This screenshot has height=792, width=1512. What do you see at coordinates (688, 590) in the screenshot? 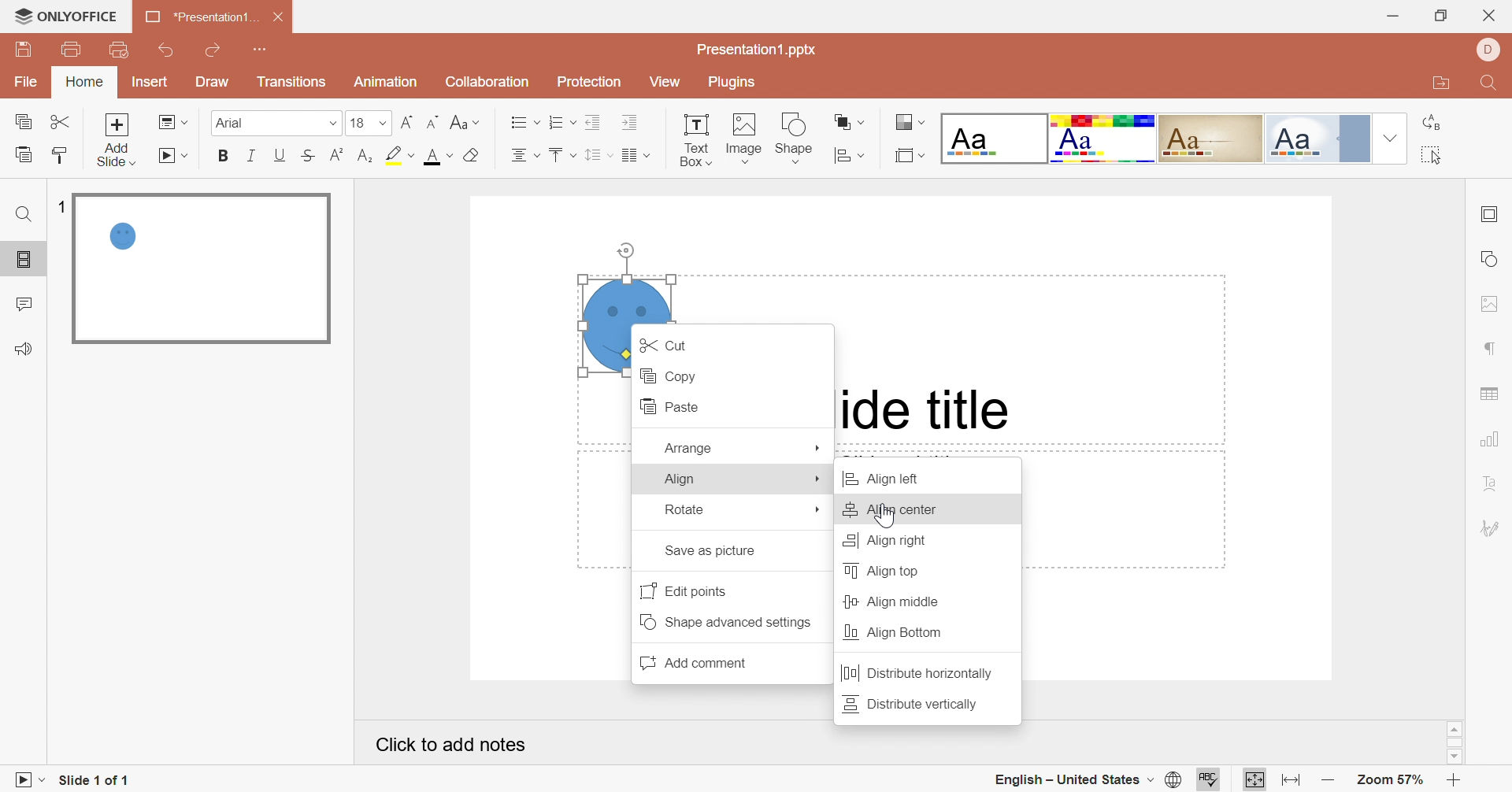
I see `Edit points` at bounding box center [688, 590].